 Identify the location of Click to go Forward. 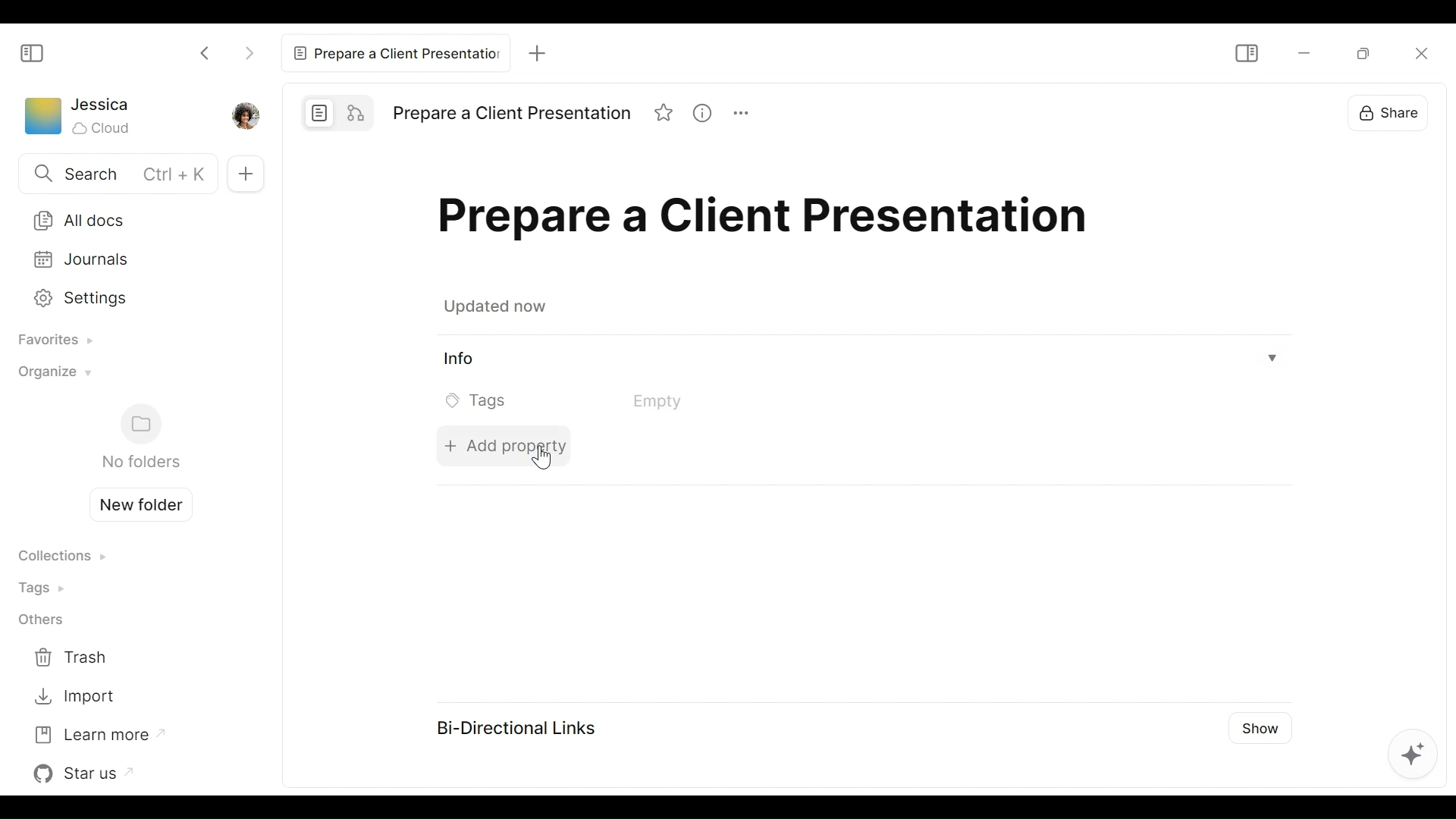
(249, 50).